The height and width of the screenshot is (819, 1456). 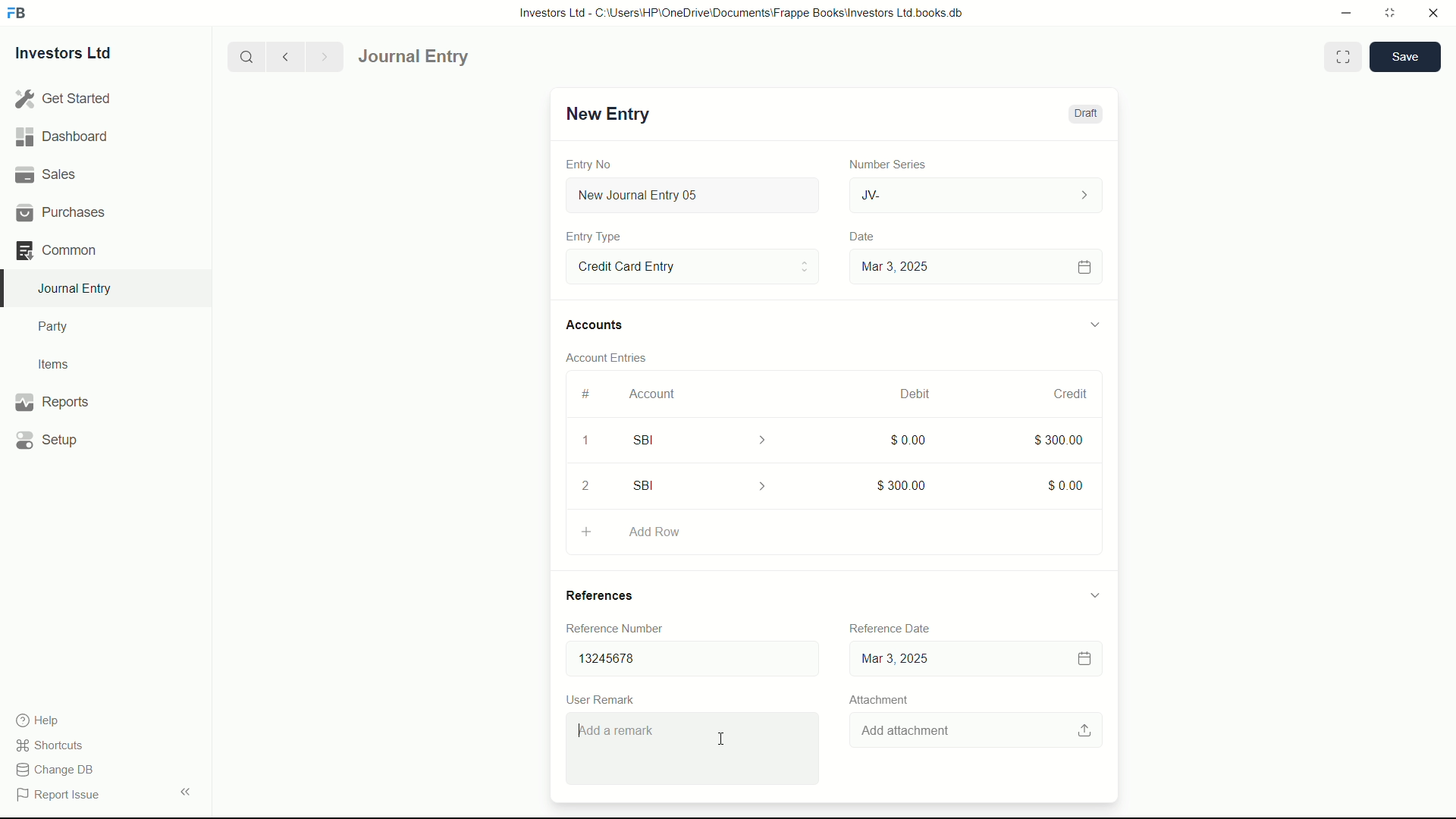 I want to click on dd-mm-yyyy, so click(x=971, y=660).